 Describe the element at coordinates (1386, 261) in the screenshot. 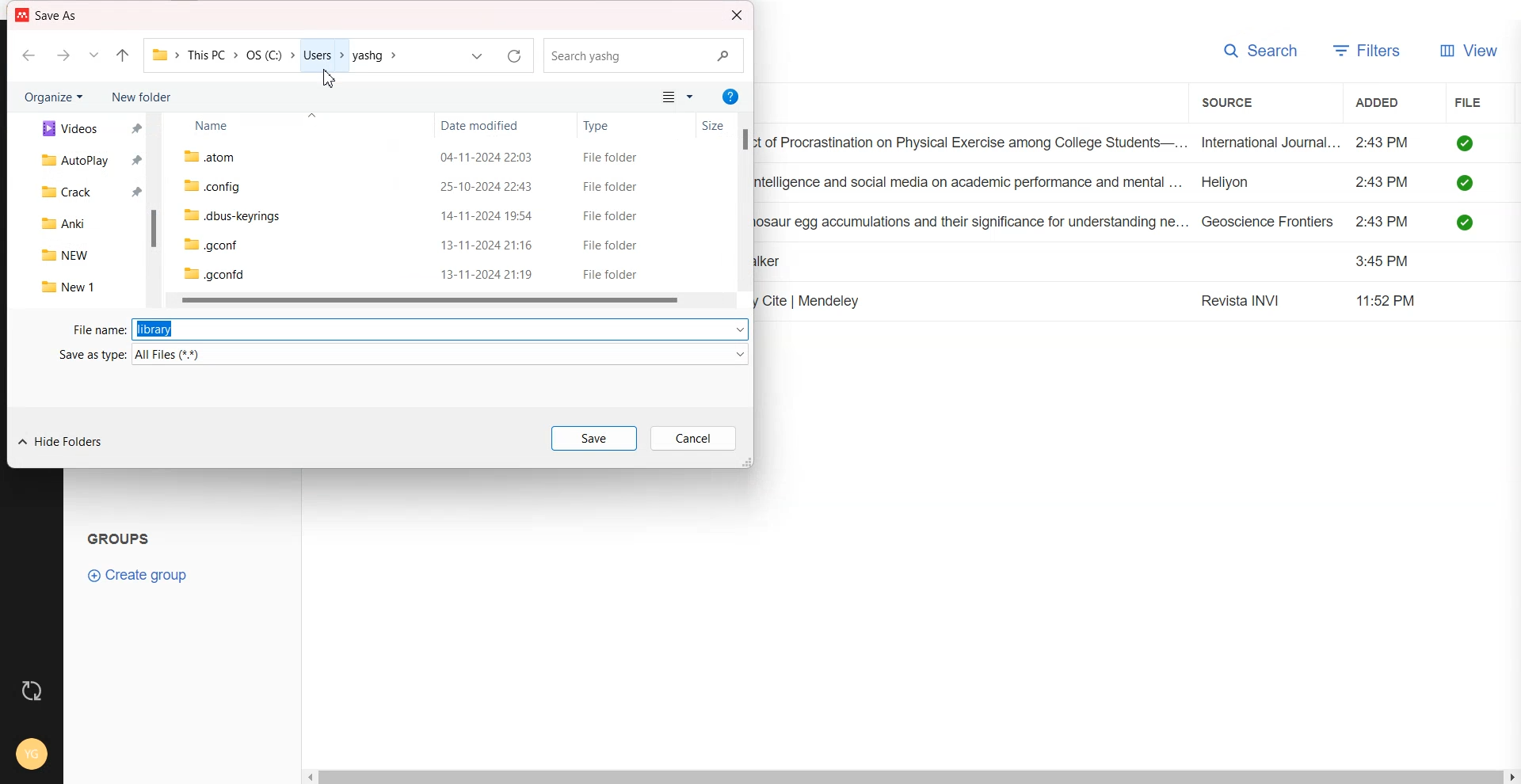

I see `3:45 PM` at that location.